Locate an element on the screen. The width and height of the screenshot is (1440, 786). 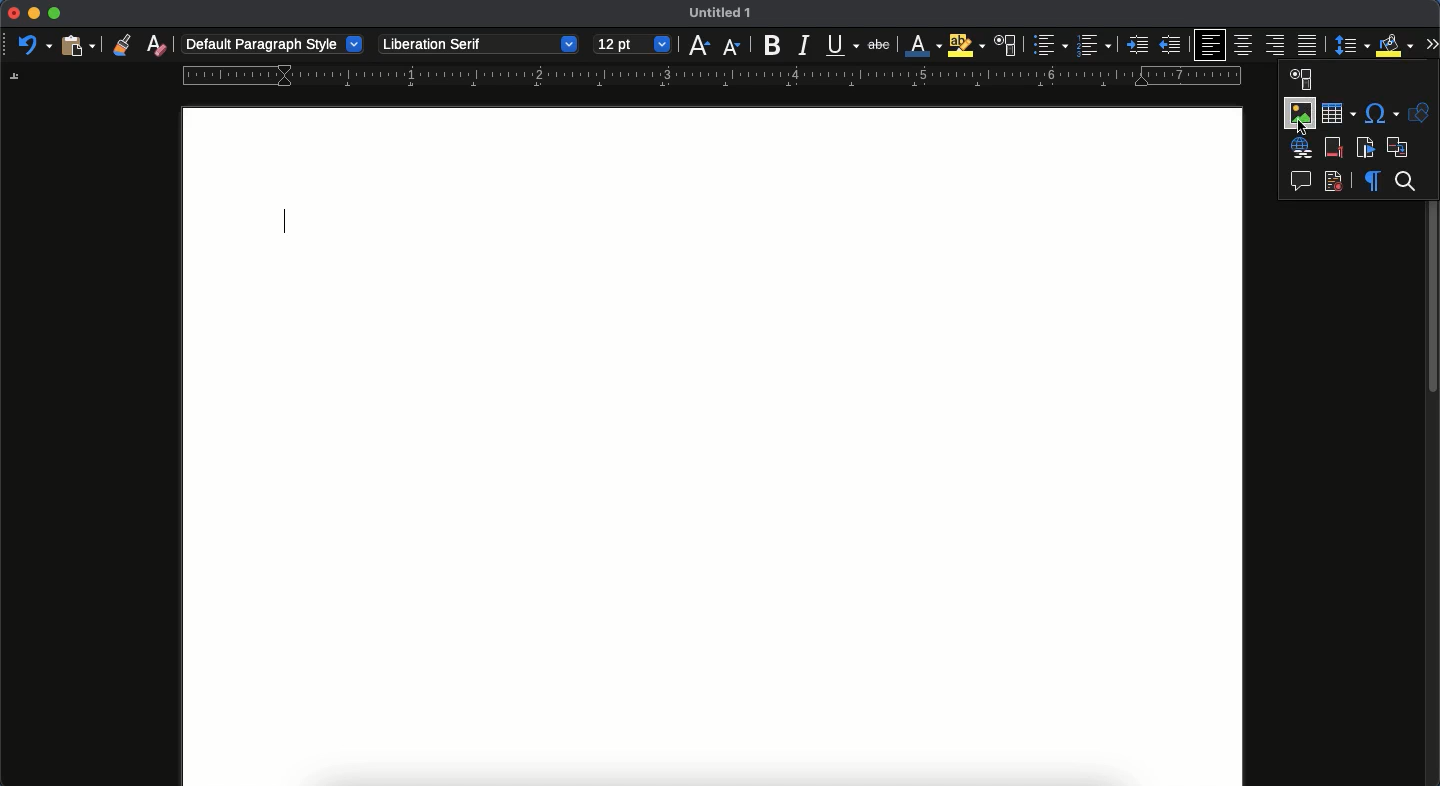
liberation serif - font style is located at coordinates (479, 45).